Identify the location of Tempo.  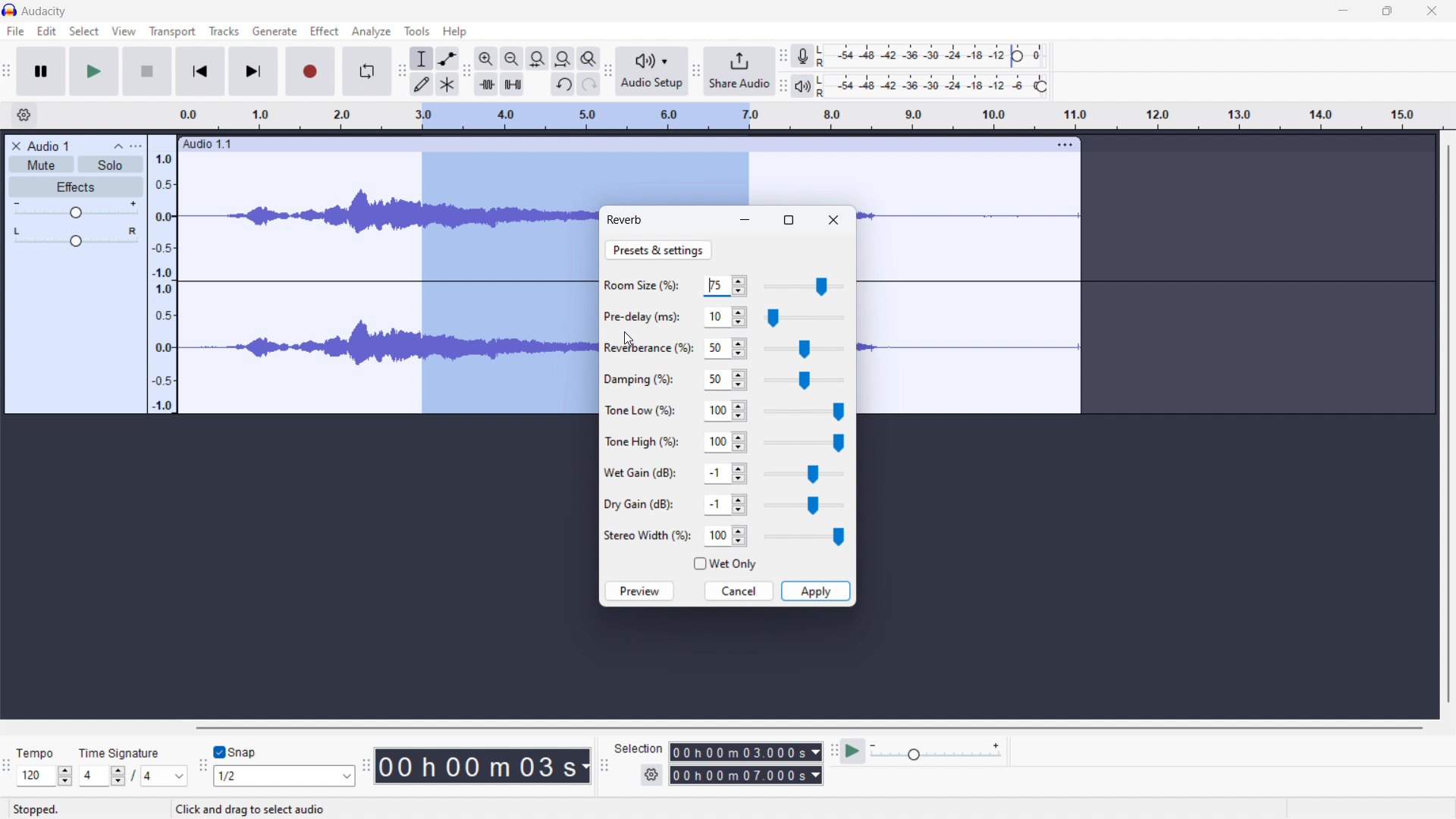
(37, 754).